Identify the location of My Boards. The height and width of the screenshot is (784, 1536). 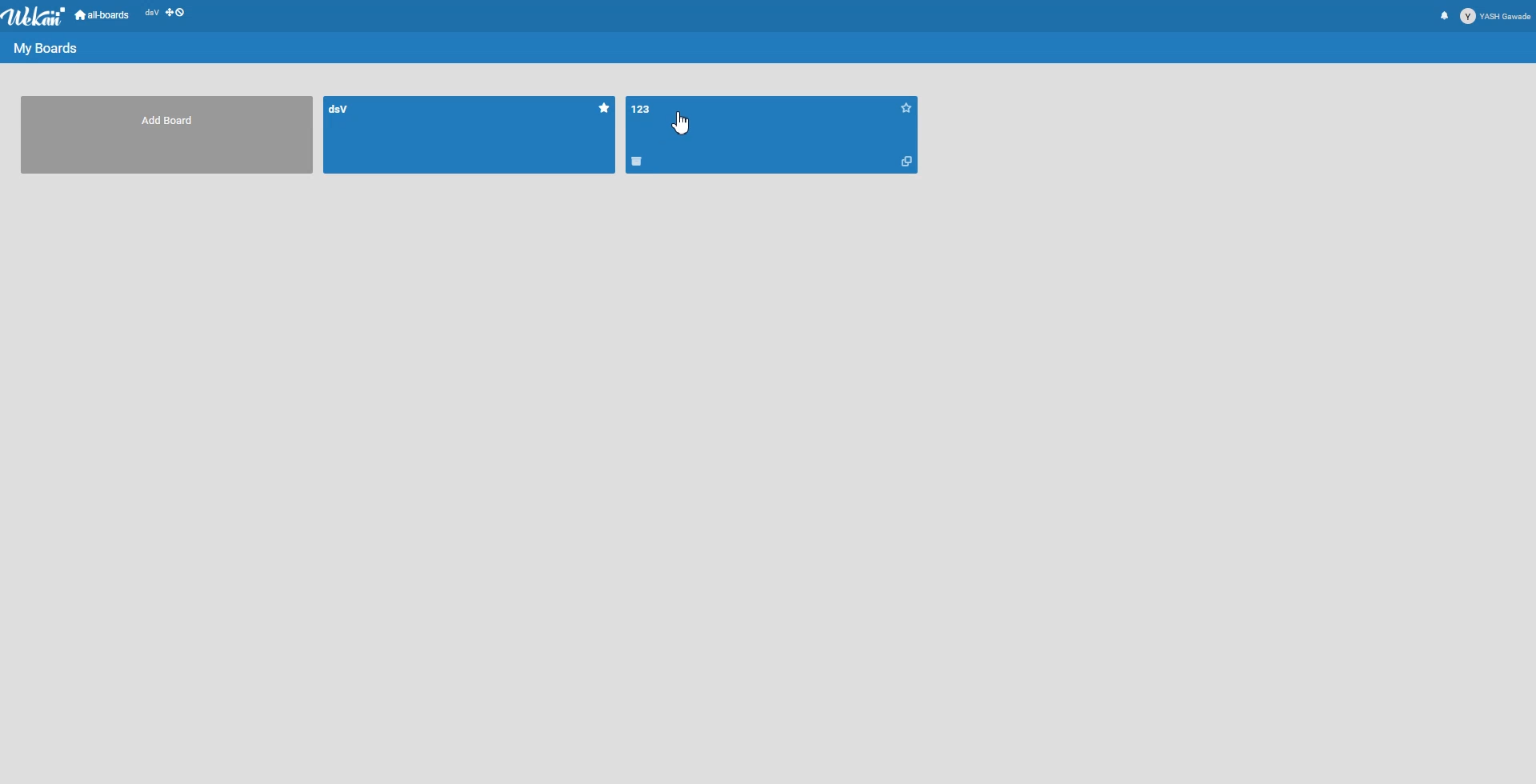
(46, 47).